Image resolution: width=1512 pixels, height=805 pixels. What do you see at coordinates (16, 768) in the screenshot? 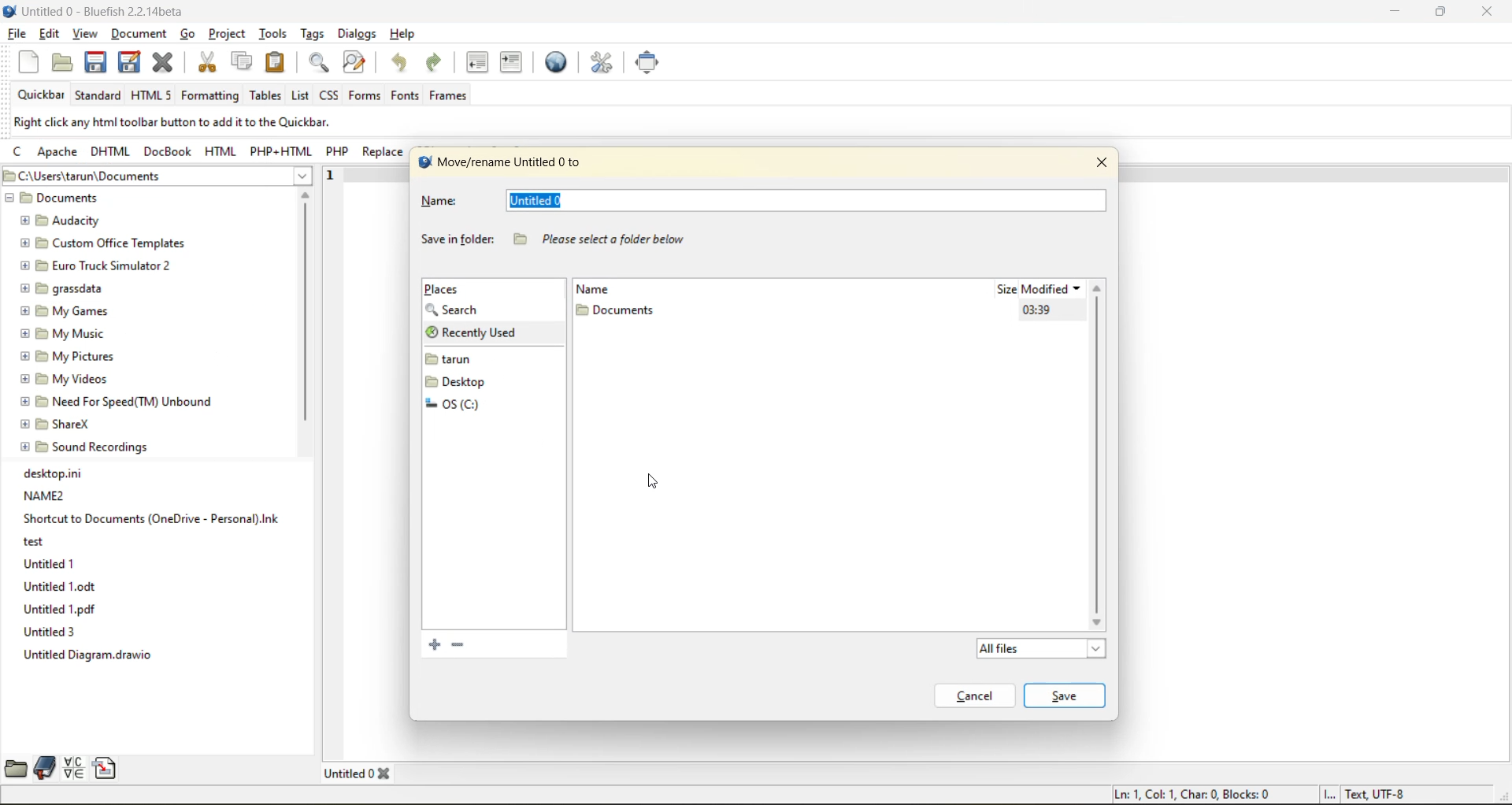
I see `file browser` at bounding box center [16, 768].